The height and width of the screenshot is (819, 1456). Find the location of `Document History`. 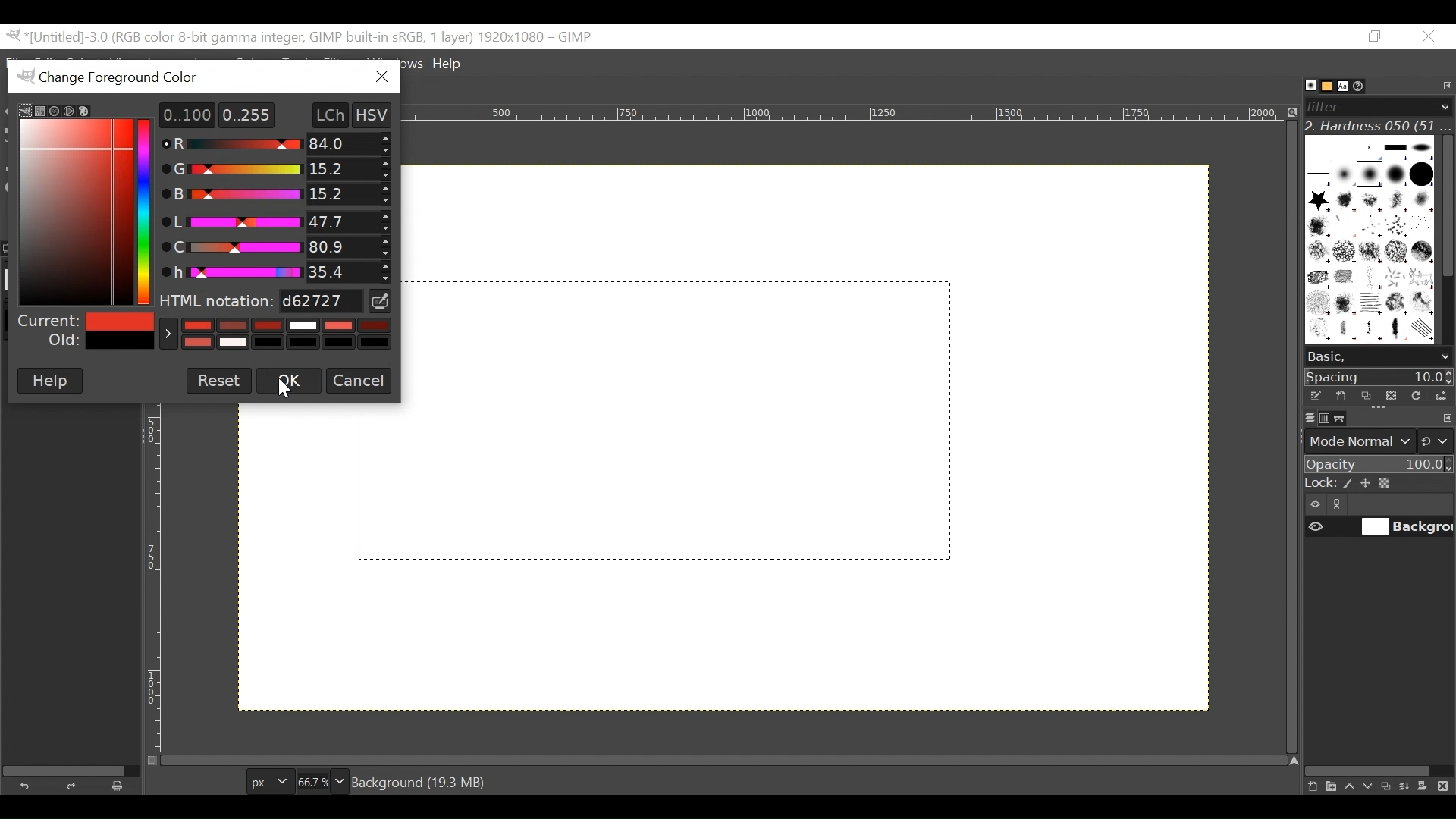

Document History is located at coordinates (1364, 85).